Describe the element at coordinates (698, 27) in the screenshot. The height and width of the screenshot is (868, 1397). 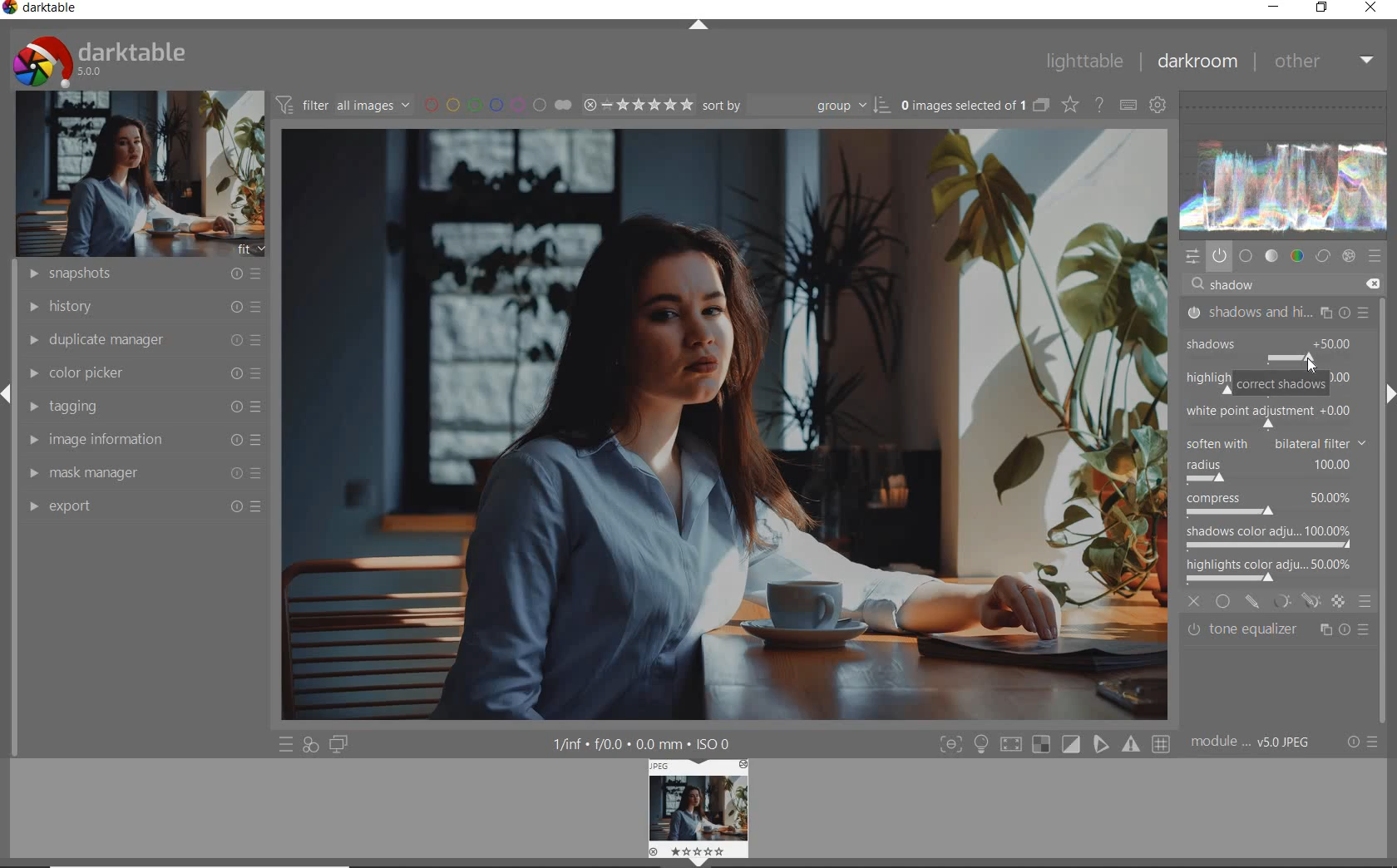
I see `expand/collapse` at that location.